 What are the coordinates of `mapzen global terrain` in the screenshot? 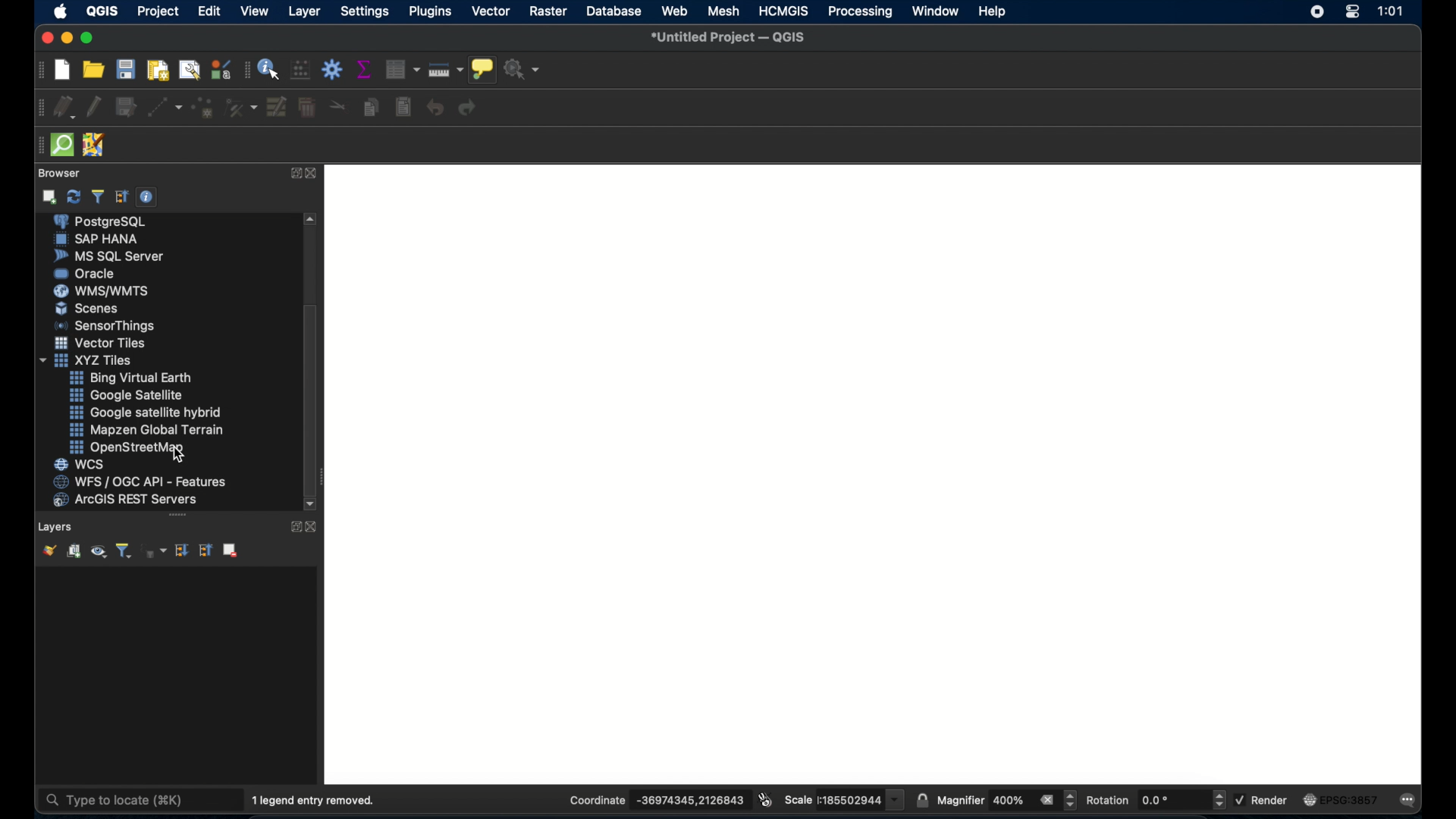 It's located at (149, 430).